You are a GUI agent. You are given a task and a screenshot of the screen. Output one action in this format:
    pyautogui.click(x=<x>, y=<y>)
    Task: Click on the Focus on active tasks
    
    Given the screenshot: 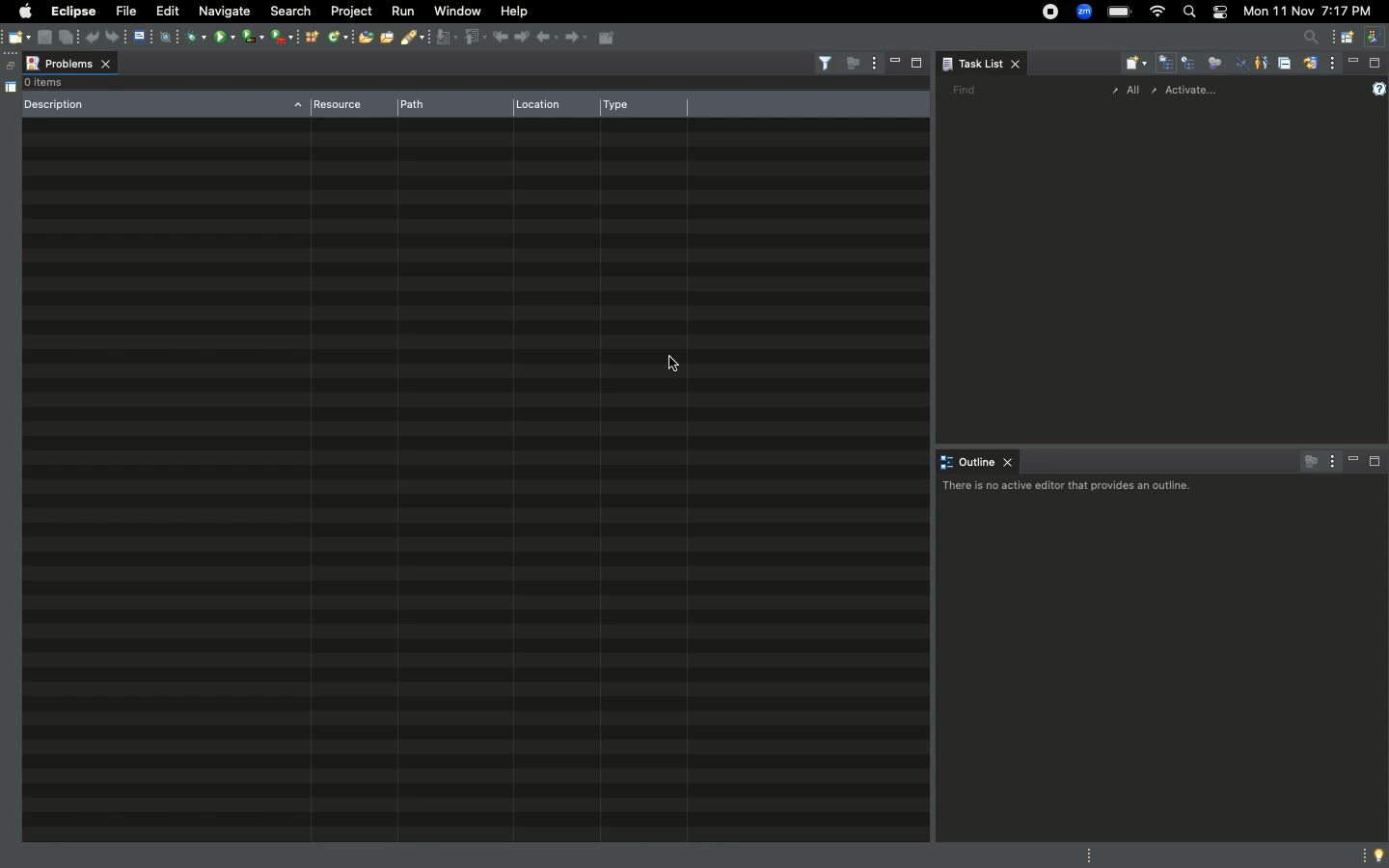 What is the action you would take?
    pyautogui.click(x=1306, y=461)
    